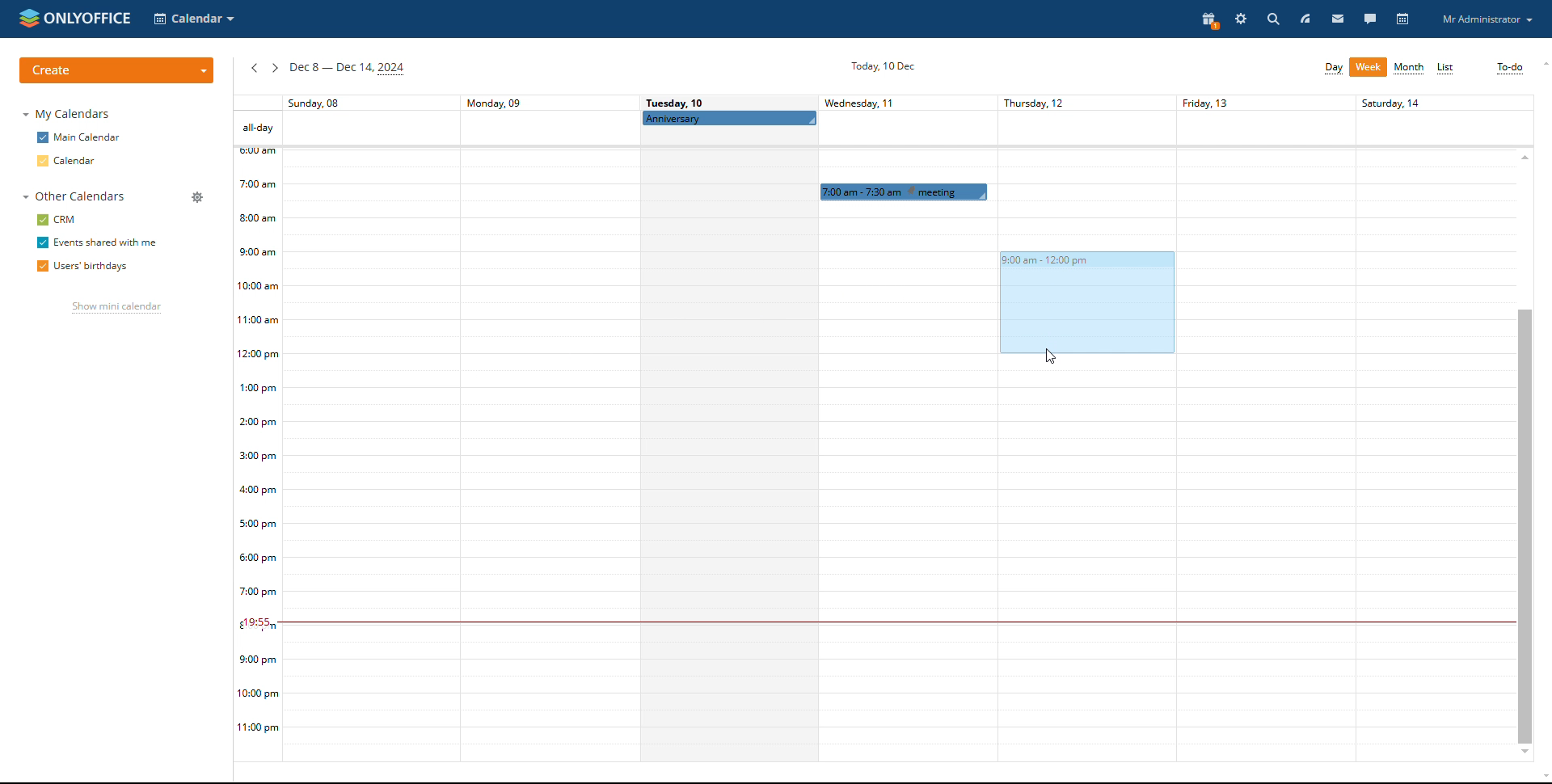 The height and width of the screenshot is (784, 1552). Describe the element at coordinates (729, 118) in the screenshot. I see `scheduled all-day event` at that location.